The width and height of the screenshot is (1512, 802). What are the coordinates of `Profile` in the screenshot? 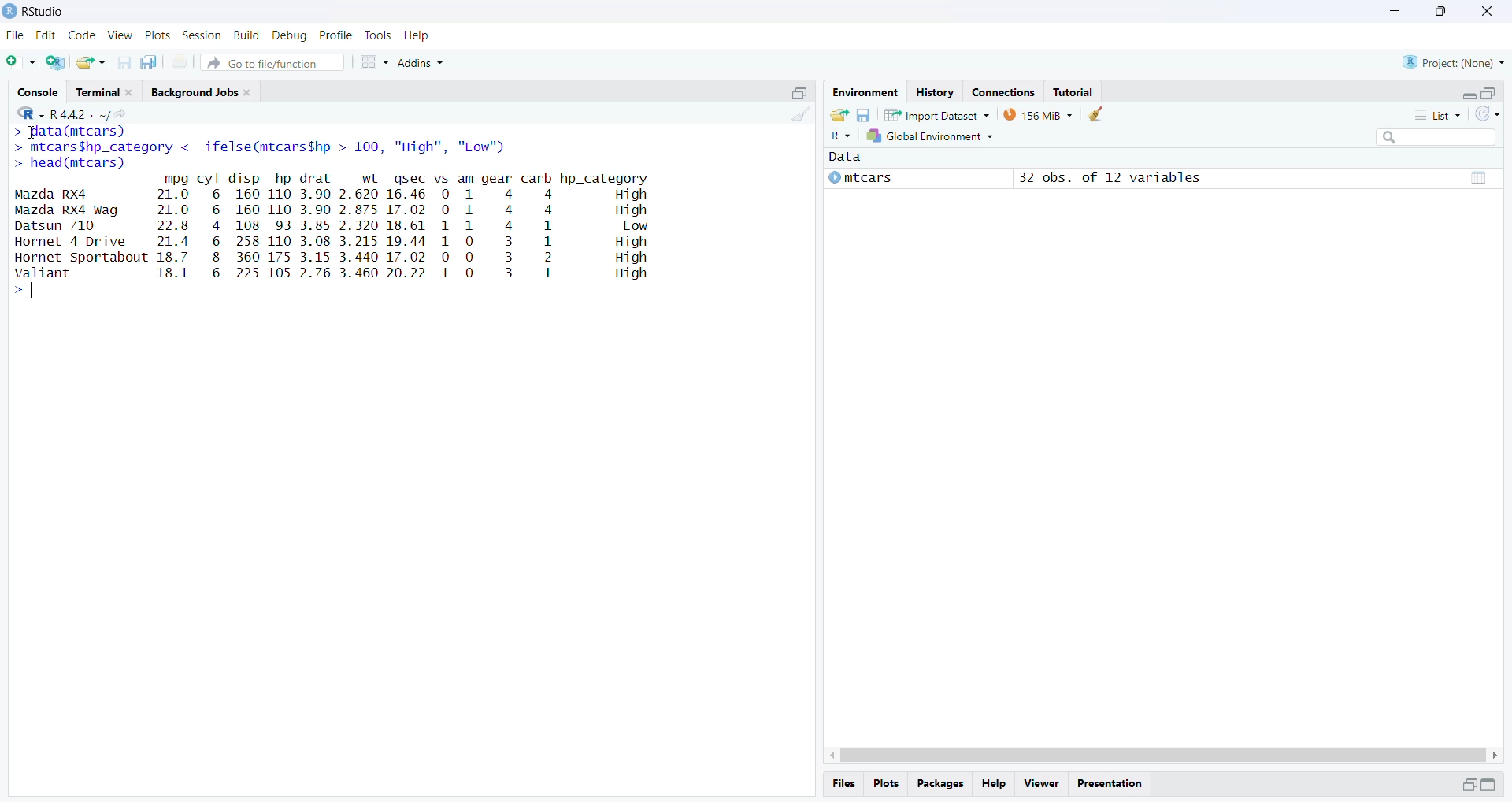 It's located at (336, 35).